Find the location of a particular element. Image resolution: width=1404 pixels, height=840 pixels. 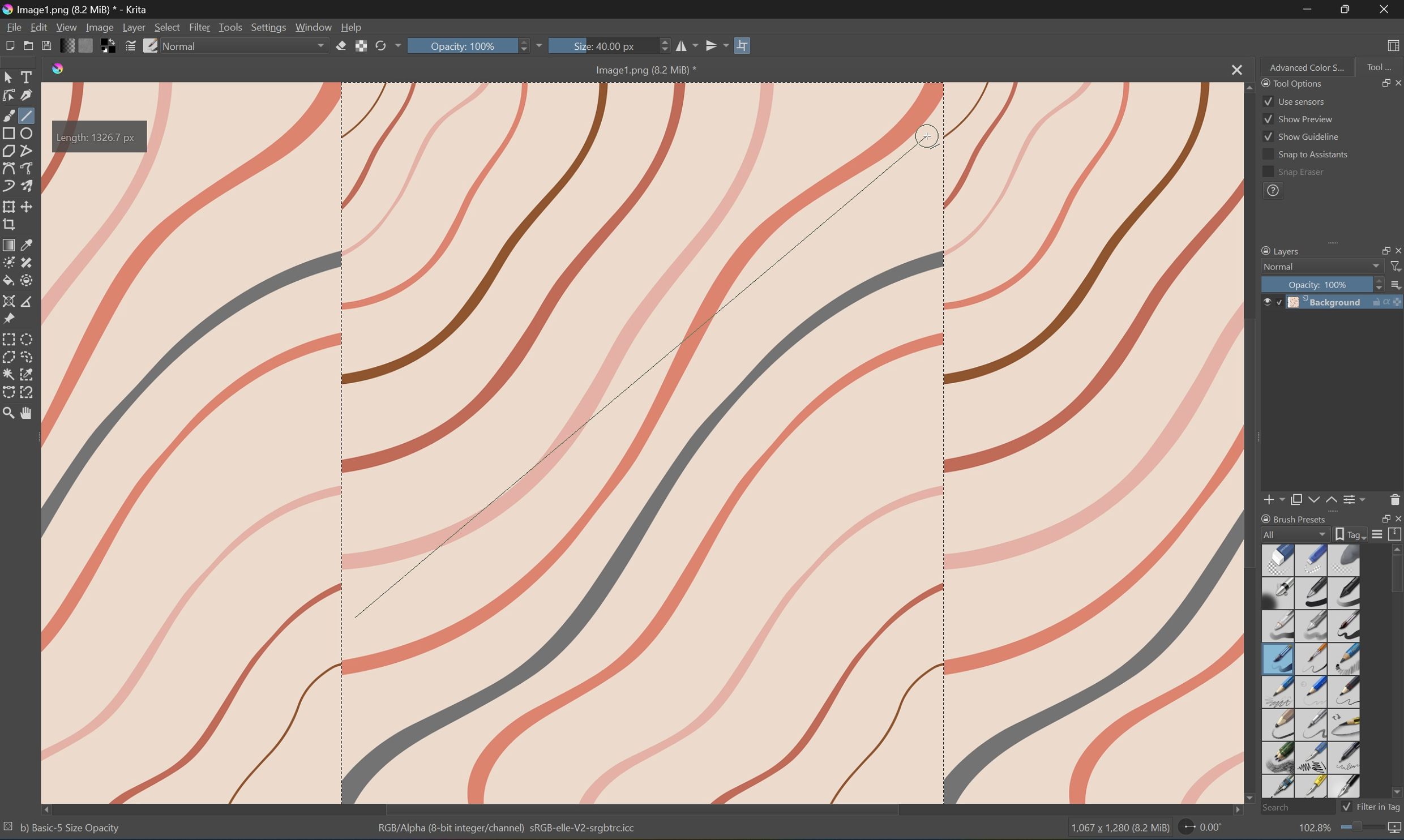

Scroll Right is located at coordinates (1232, 811).